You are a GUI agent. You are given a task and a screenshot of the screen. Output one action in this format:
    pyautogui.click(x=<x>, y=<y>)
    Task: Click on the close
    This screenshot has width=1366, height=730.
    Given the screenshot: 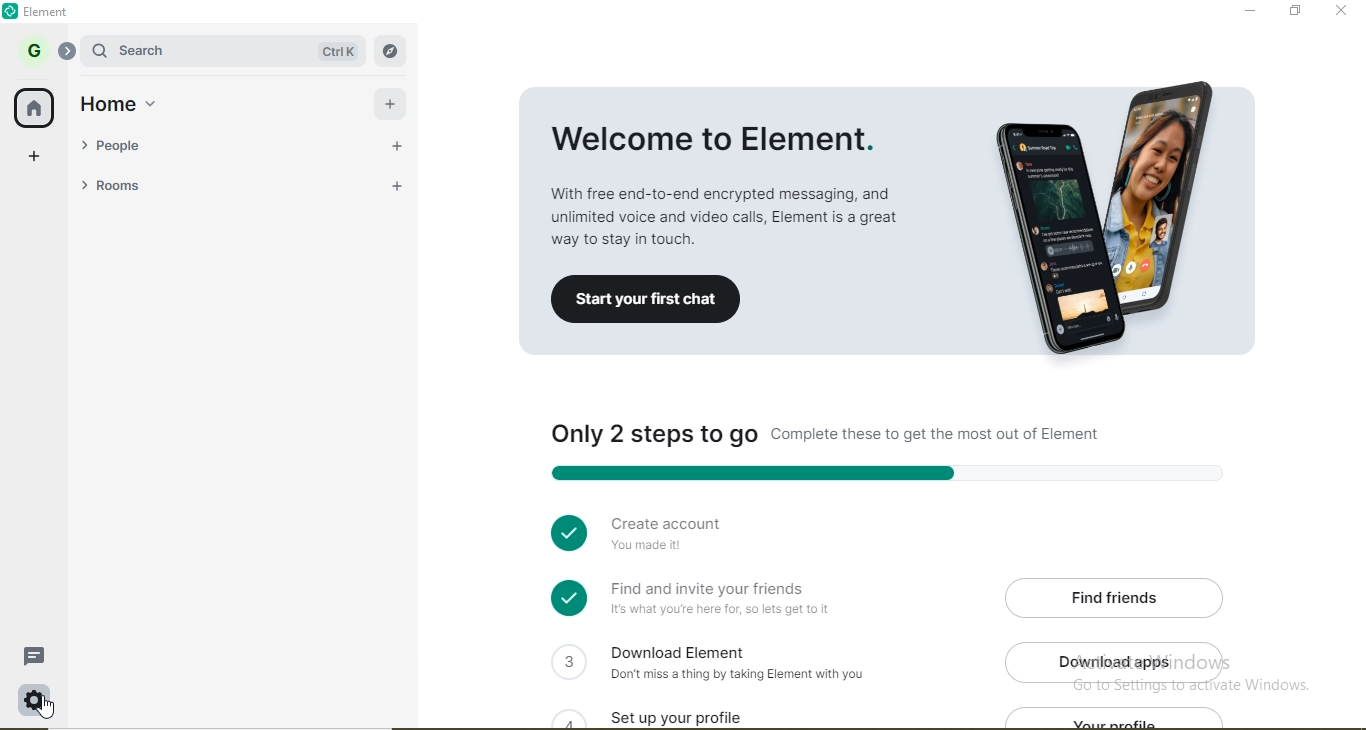 What is the action you would take?
    pyautogui.click(x=1343, y=12)
    